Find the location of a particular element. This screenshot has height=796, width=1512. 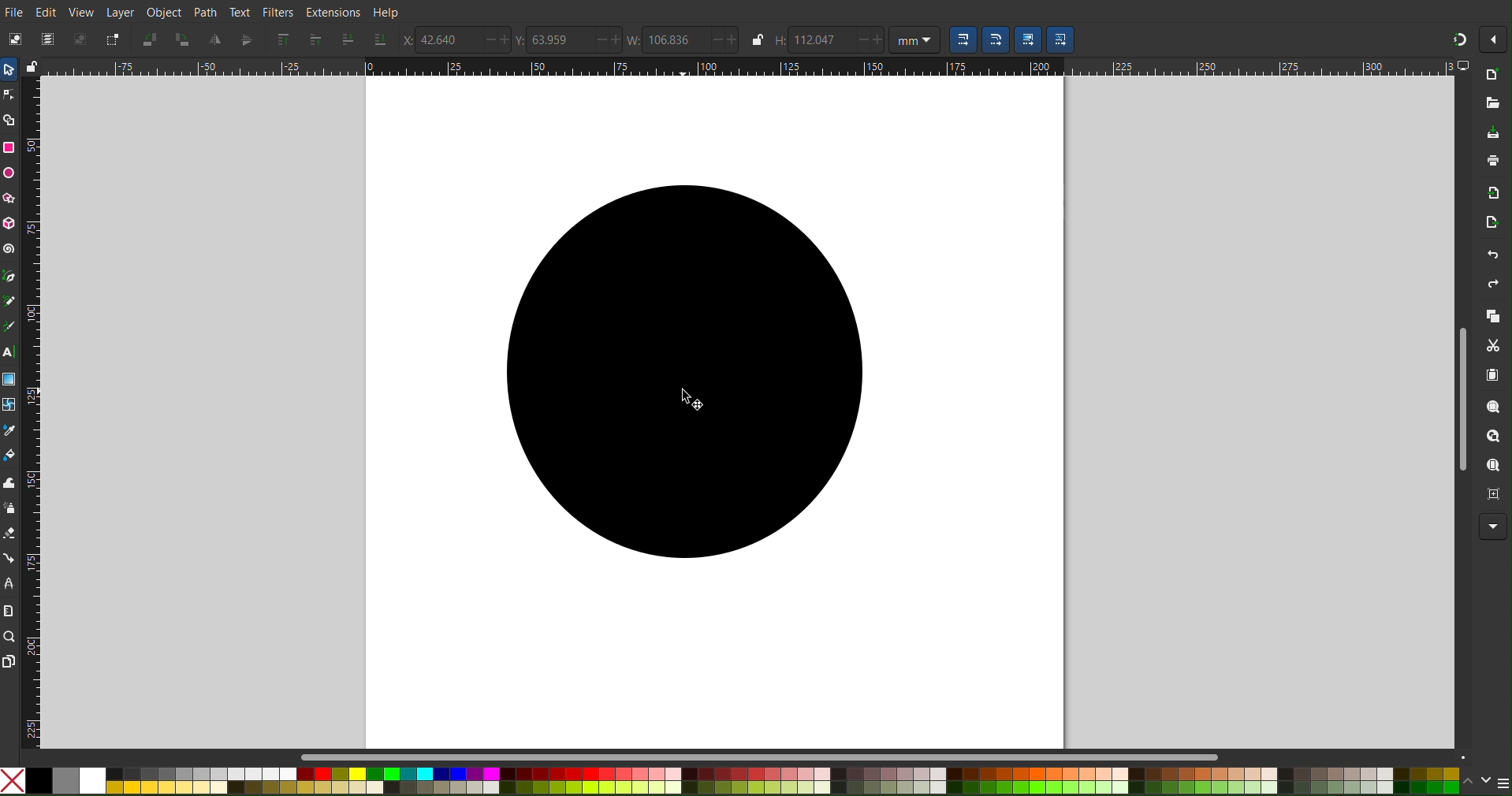

Extensions is located at coordinates (332, 11).